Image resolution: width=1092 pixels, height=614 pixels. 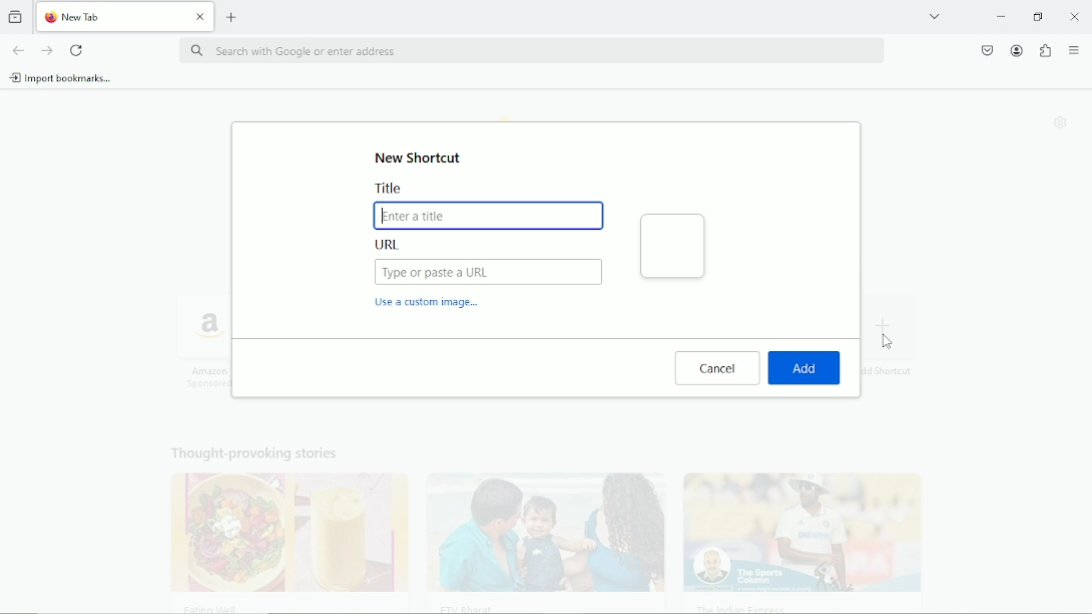 I want to click on list all tabs, so click(x=934, y=15).